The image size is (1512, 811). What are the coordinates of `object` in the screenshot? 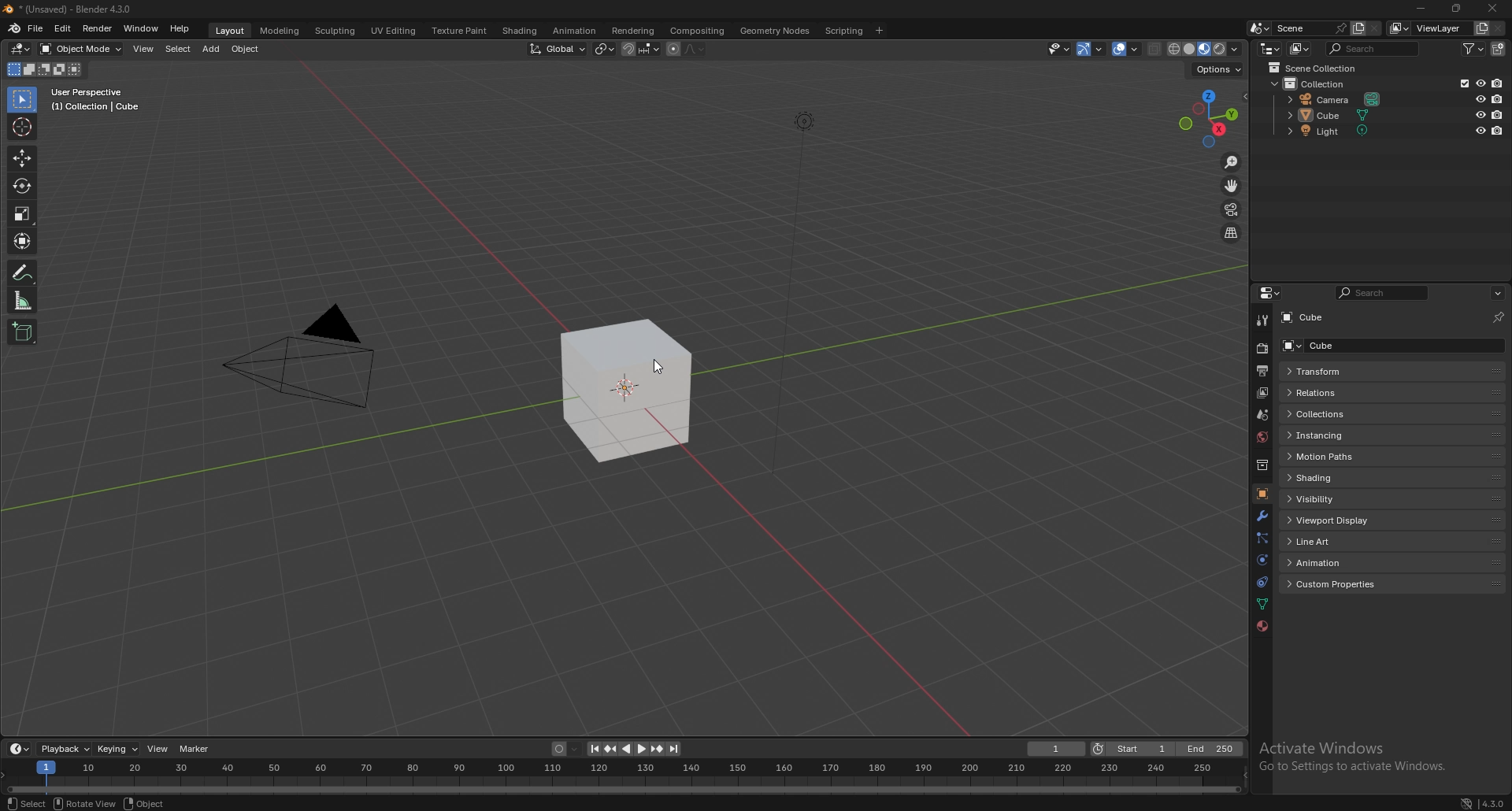 It's located at (144, 803).